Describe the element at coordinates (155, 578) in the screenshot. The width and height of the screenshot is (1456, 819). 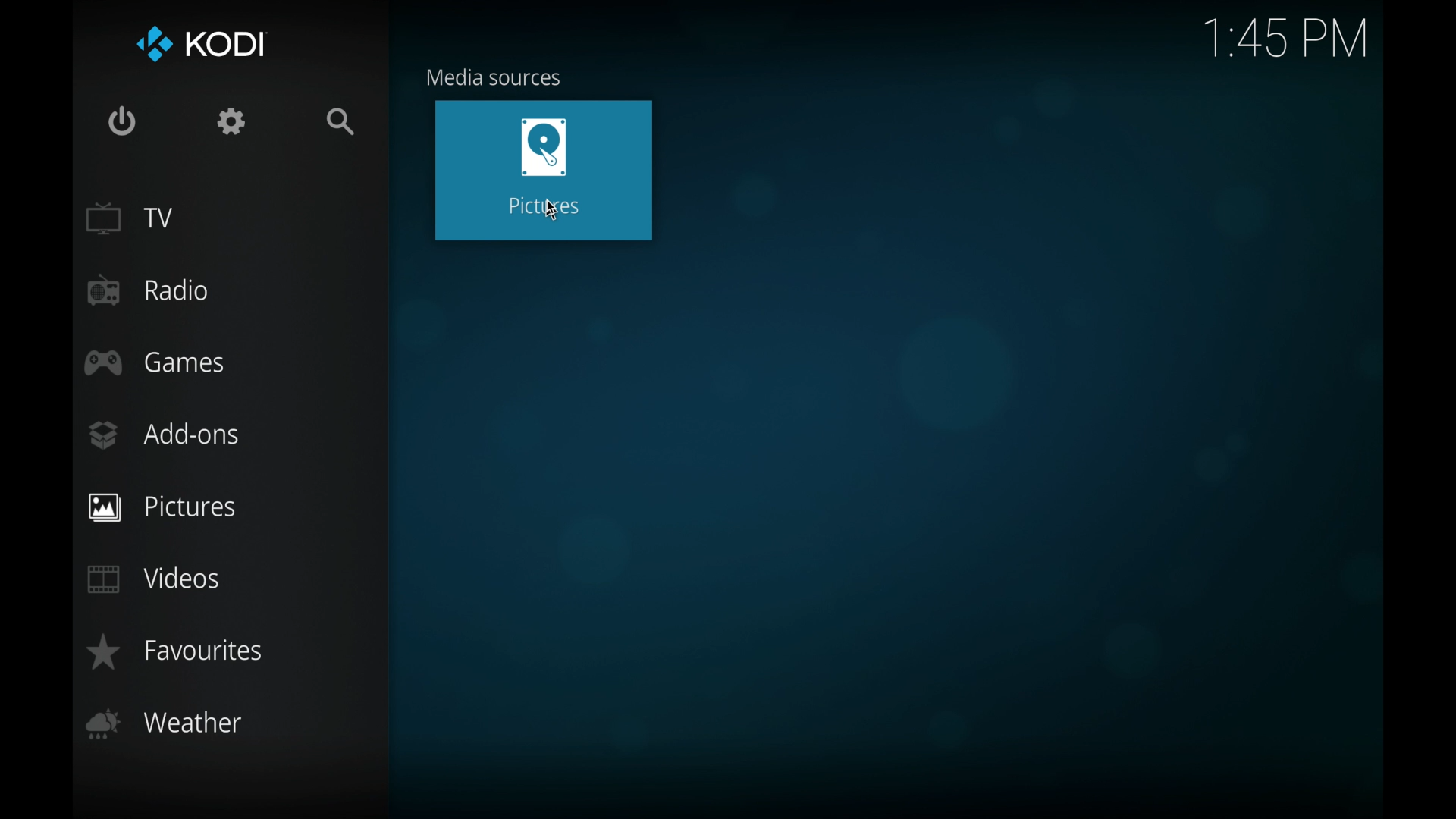
I see `videos` at that location.